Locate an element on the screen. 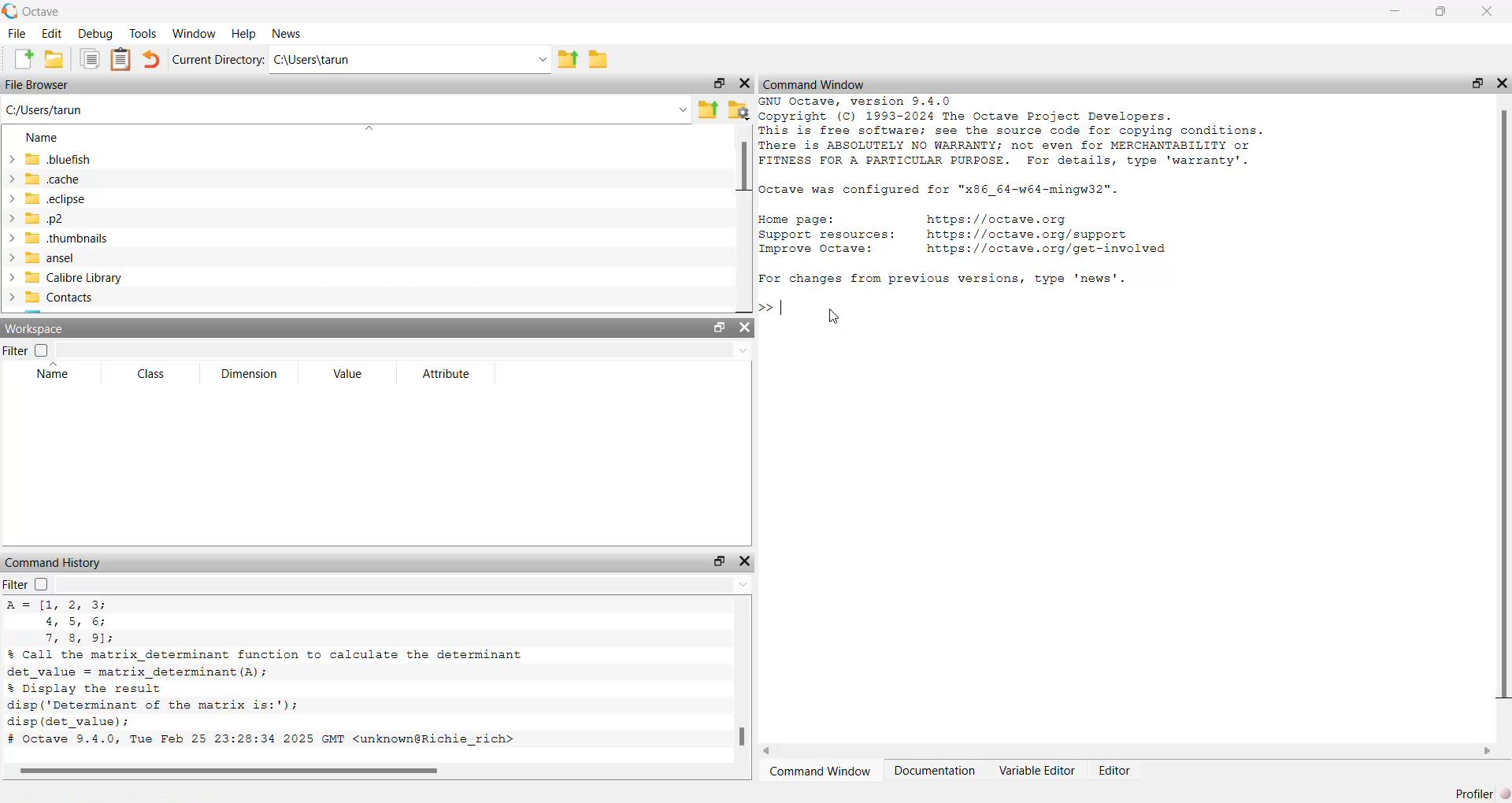 The image size is (1512, 803). undo is located at coordinates (153, 60).